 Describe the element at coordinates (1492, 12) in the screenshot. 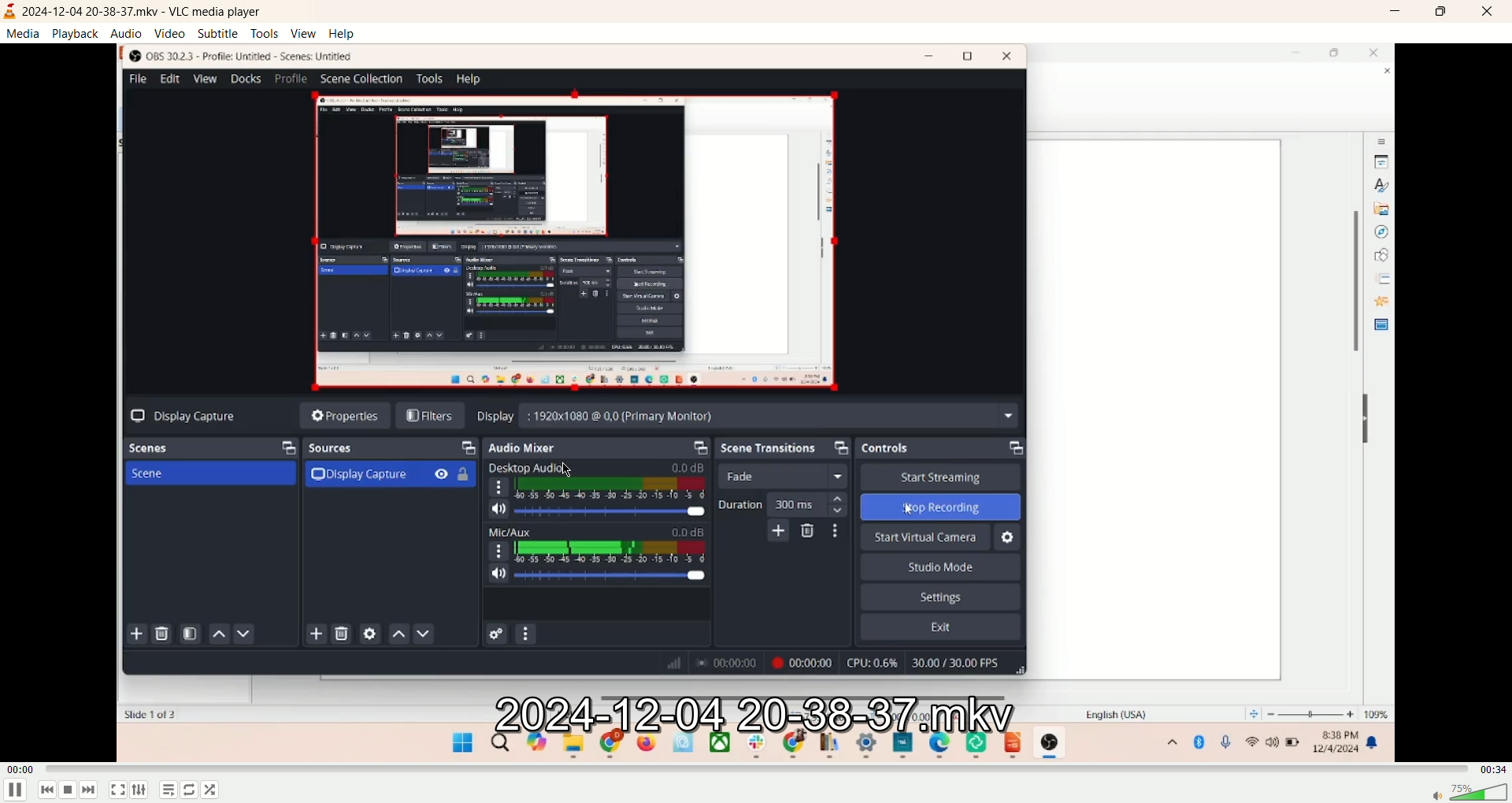

I see `close` at that location.